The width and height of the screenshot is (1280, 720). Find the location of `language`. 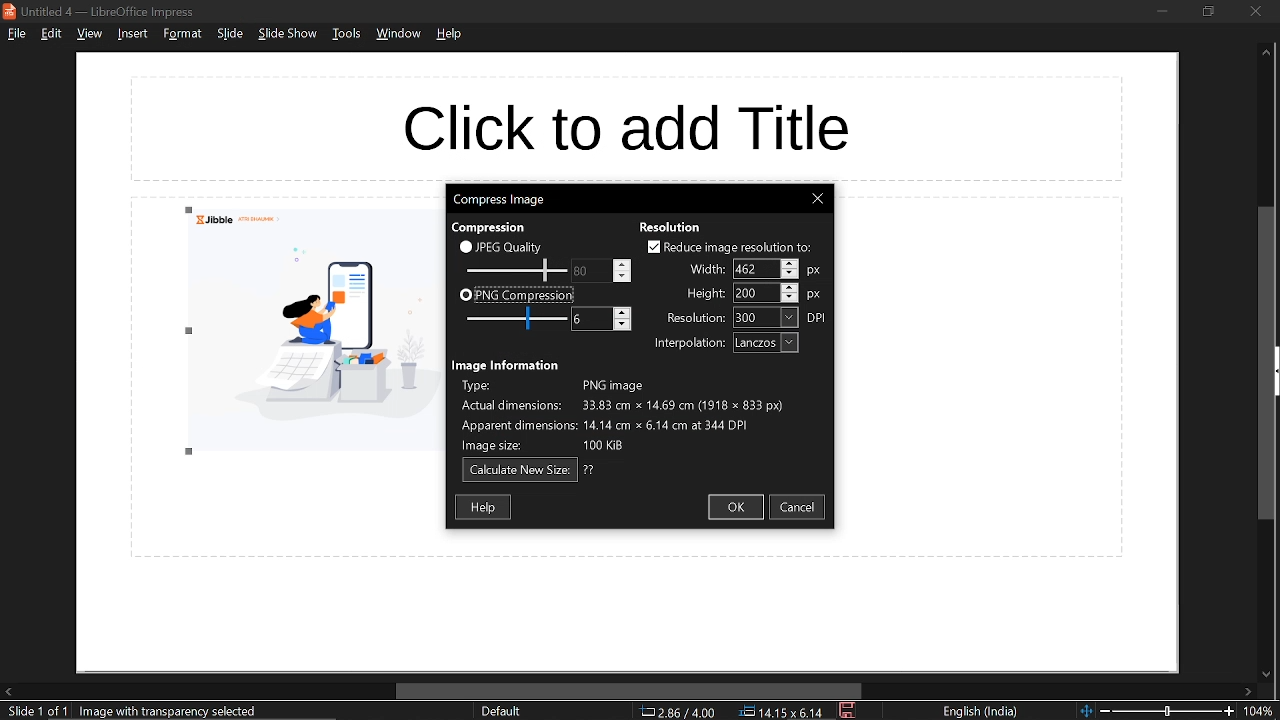

language is located at coordinates (981, 712).